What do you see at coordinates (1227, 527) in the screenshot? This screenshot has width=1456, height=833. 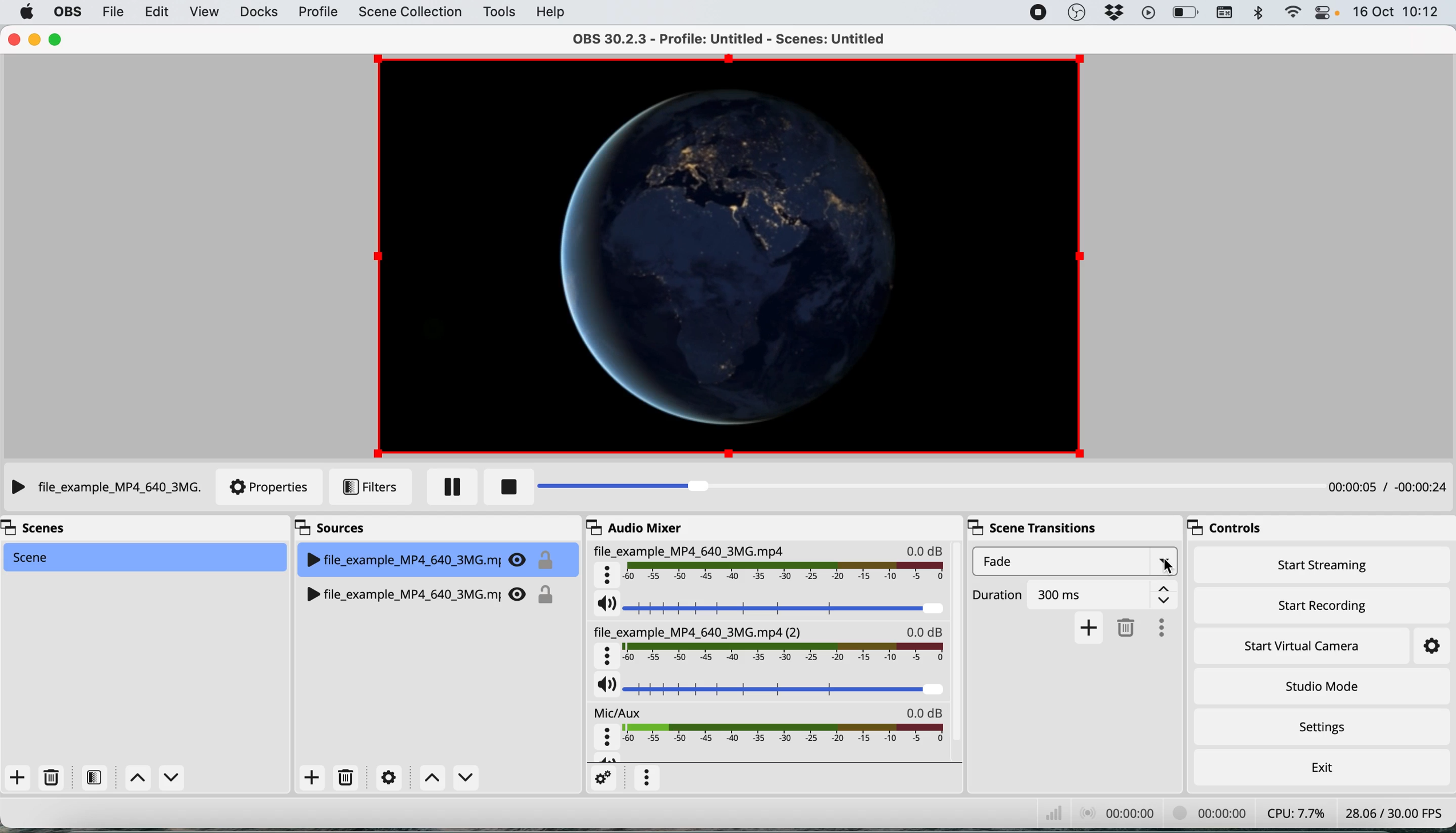 I see `controls` at bounding box center [1227, 527].